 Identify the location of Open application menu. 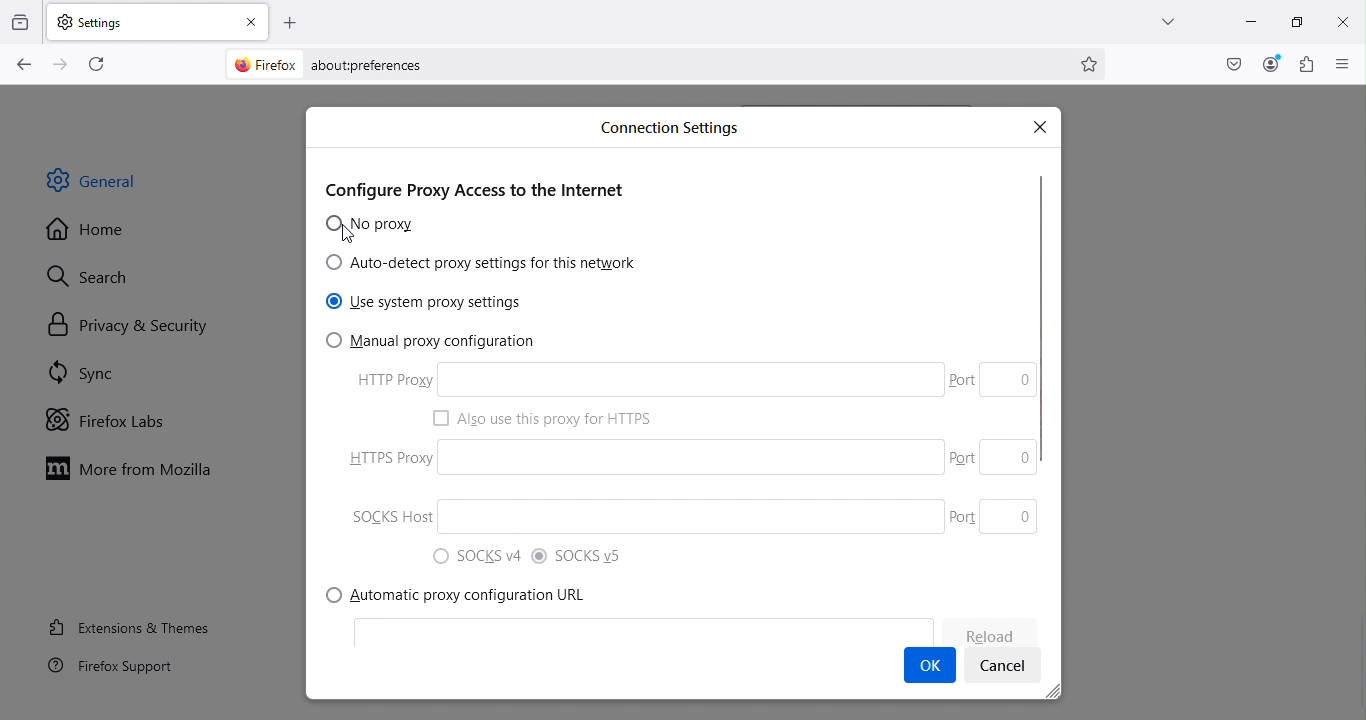
(1345, 65).